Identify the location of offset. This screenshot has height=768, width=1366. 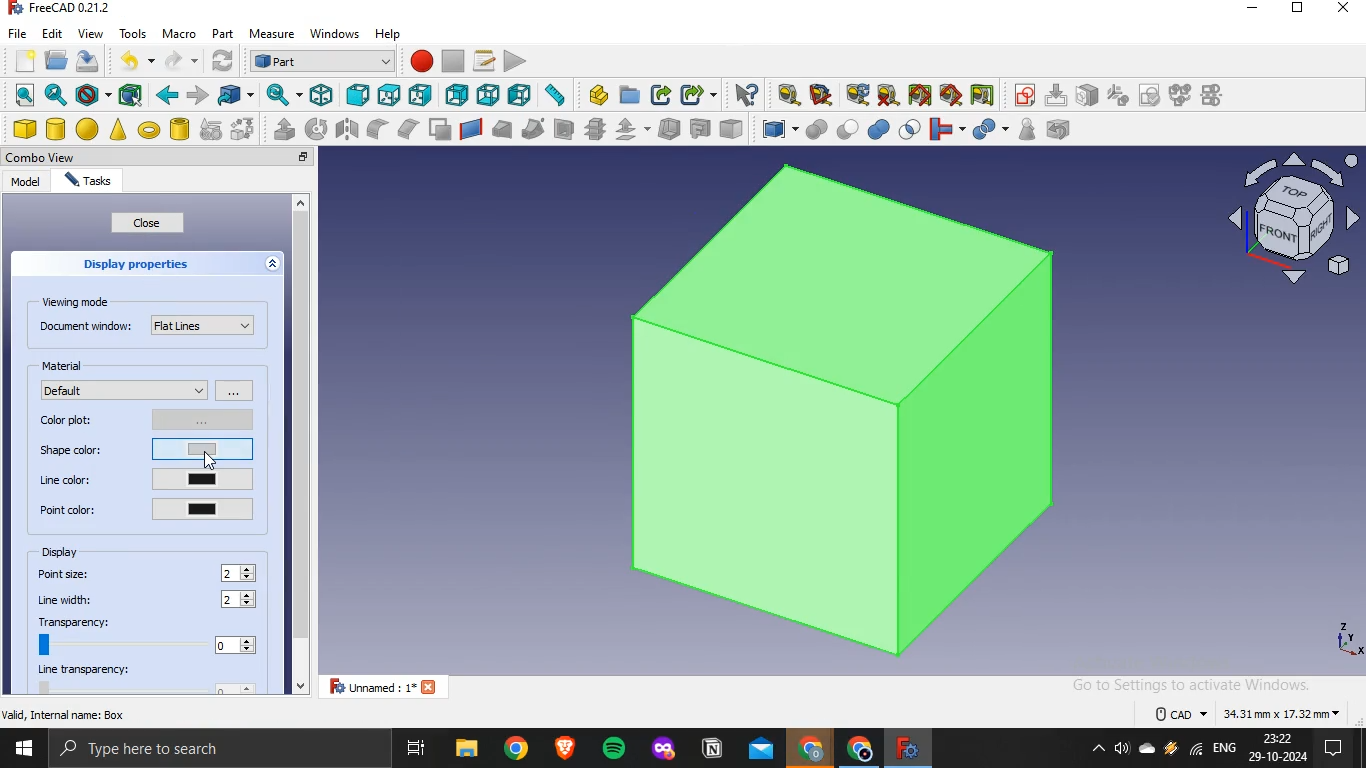
(631, 129).